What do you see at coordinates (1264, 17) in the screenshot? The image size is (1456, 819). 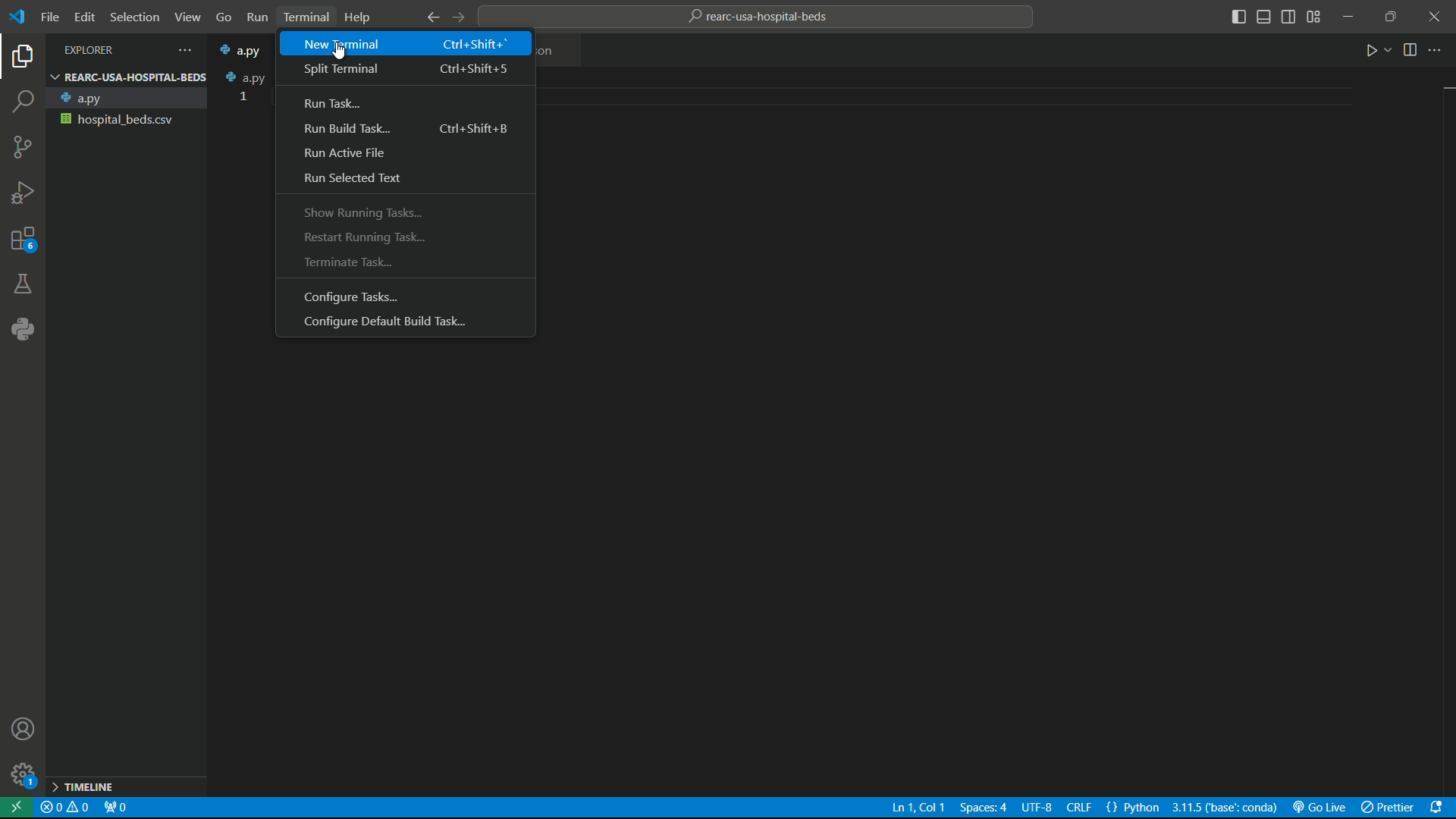 I see `toggle panel` at bounding box center [1264, 17].